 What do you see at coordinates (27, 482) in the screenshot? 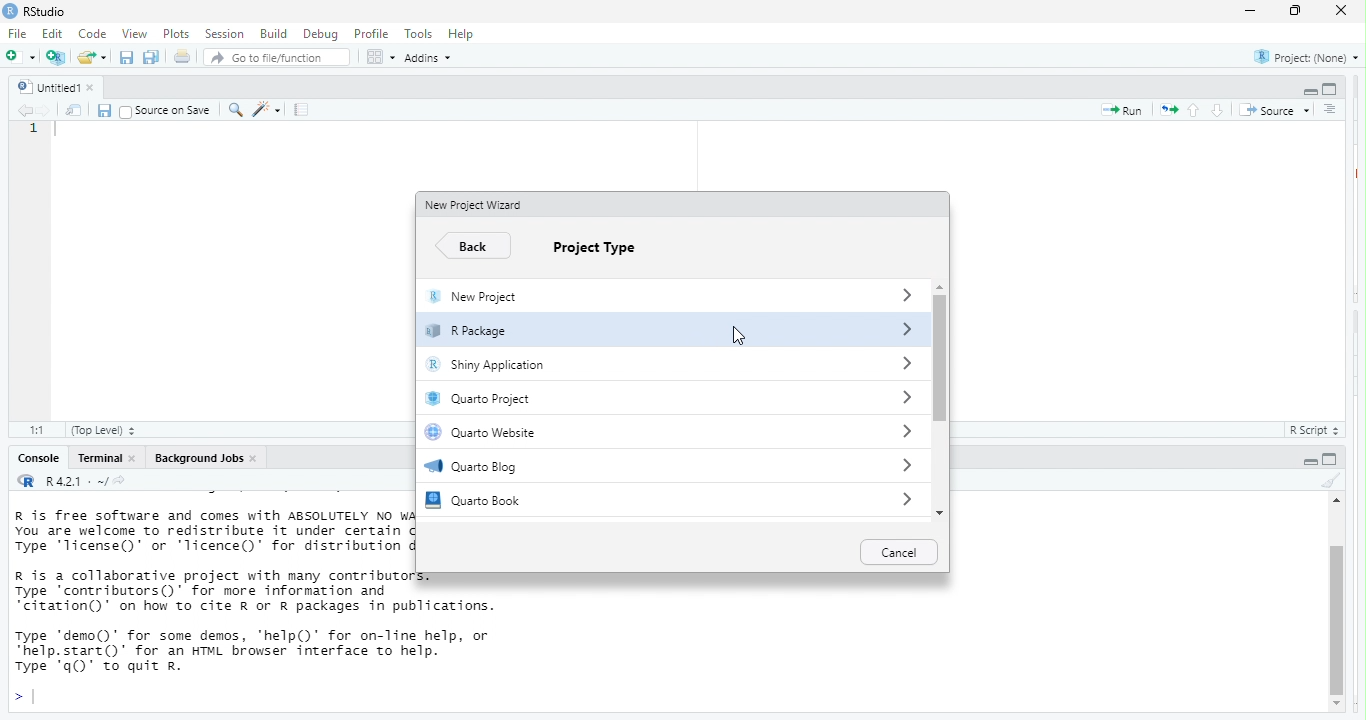
I see `r studio logo` at bounding box center [27, 482].